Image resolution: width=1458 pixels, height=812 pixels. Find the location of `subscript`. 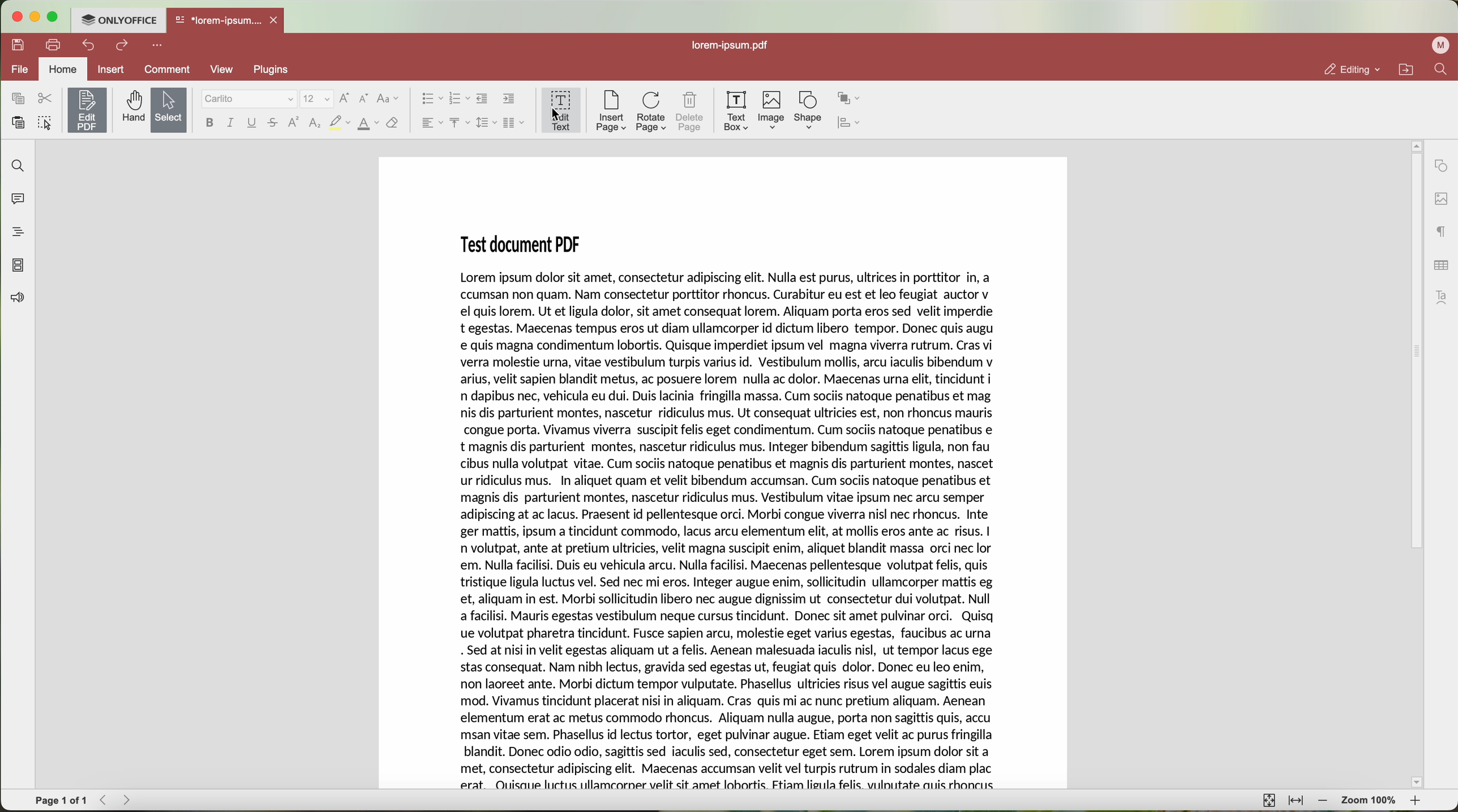

subscript is located at coordinates (316, 123).